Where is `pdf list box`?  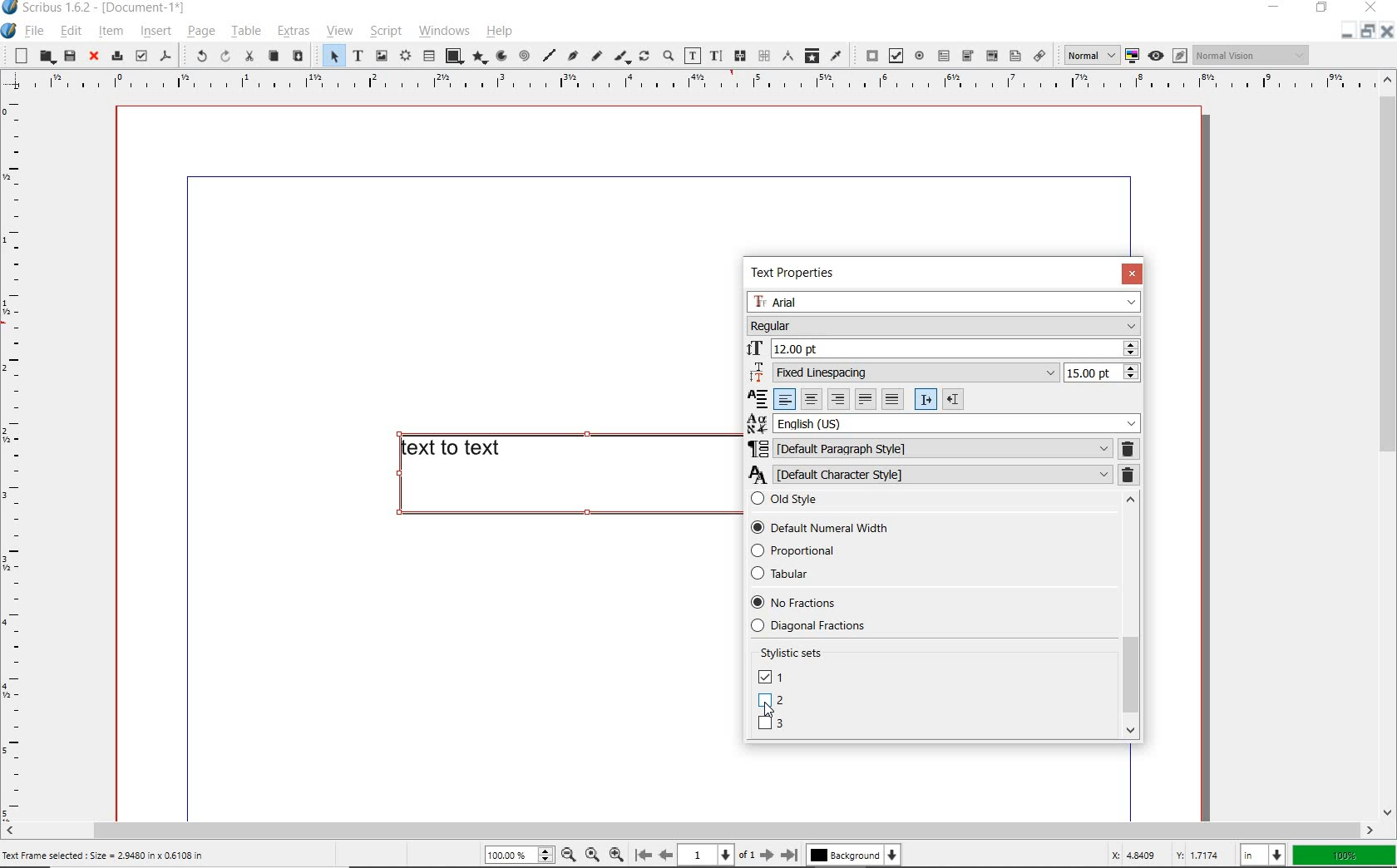 pdf list box is located at coordinates (990, 55).